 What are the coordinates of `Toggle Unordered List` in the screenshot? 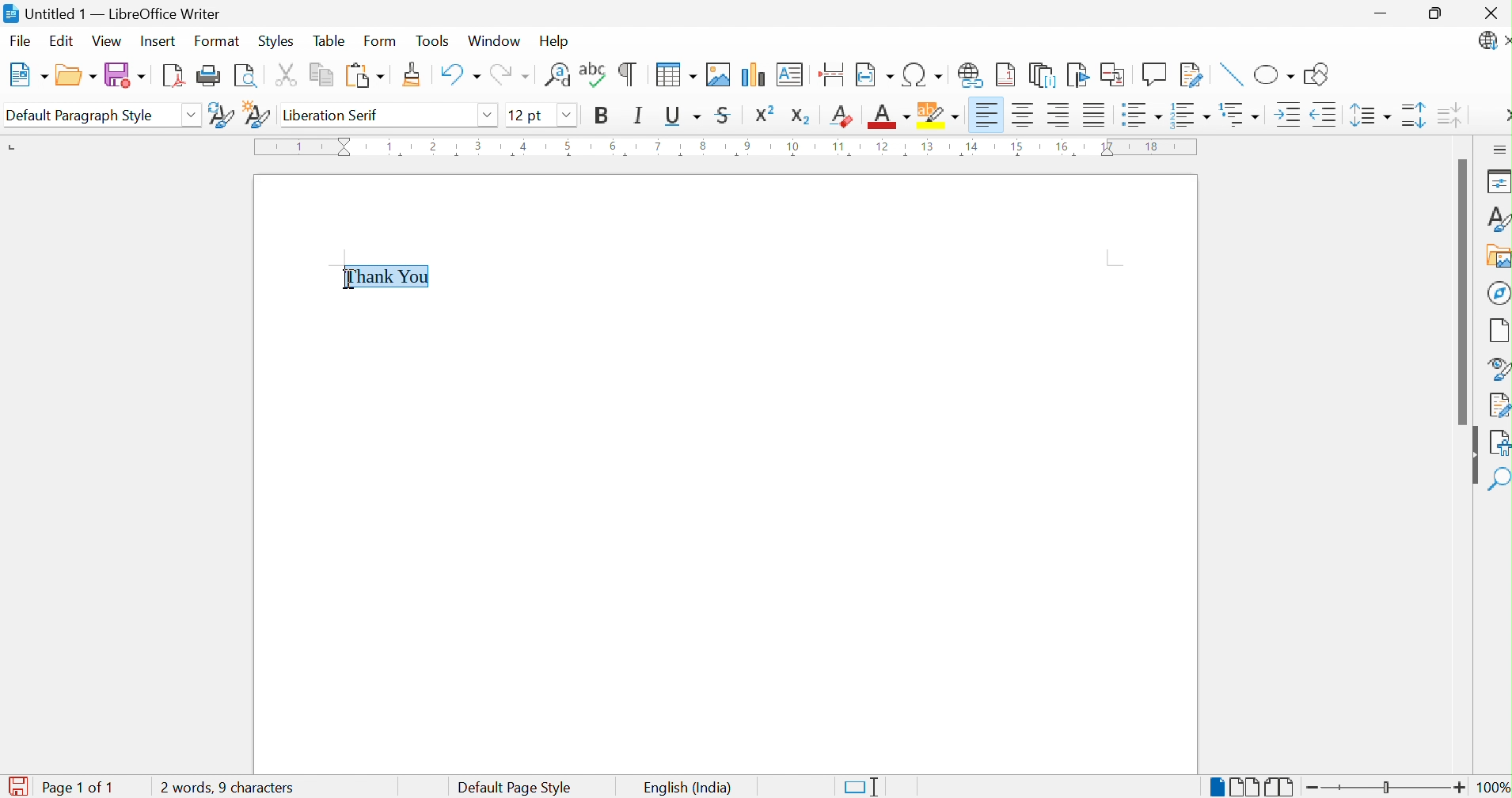 It's located at (1142, 114).